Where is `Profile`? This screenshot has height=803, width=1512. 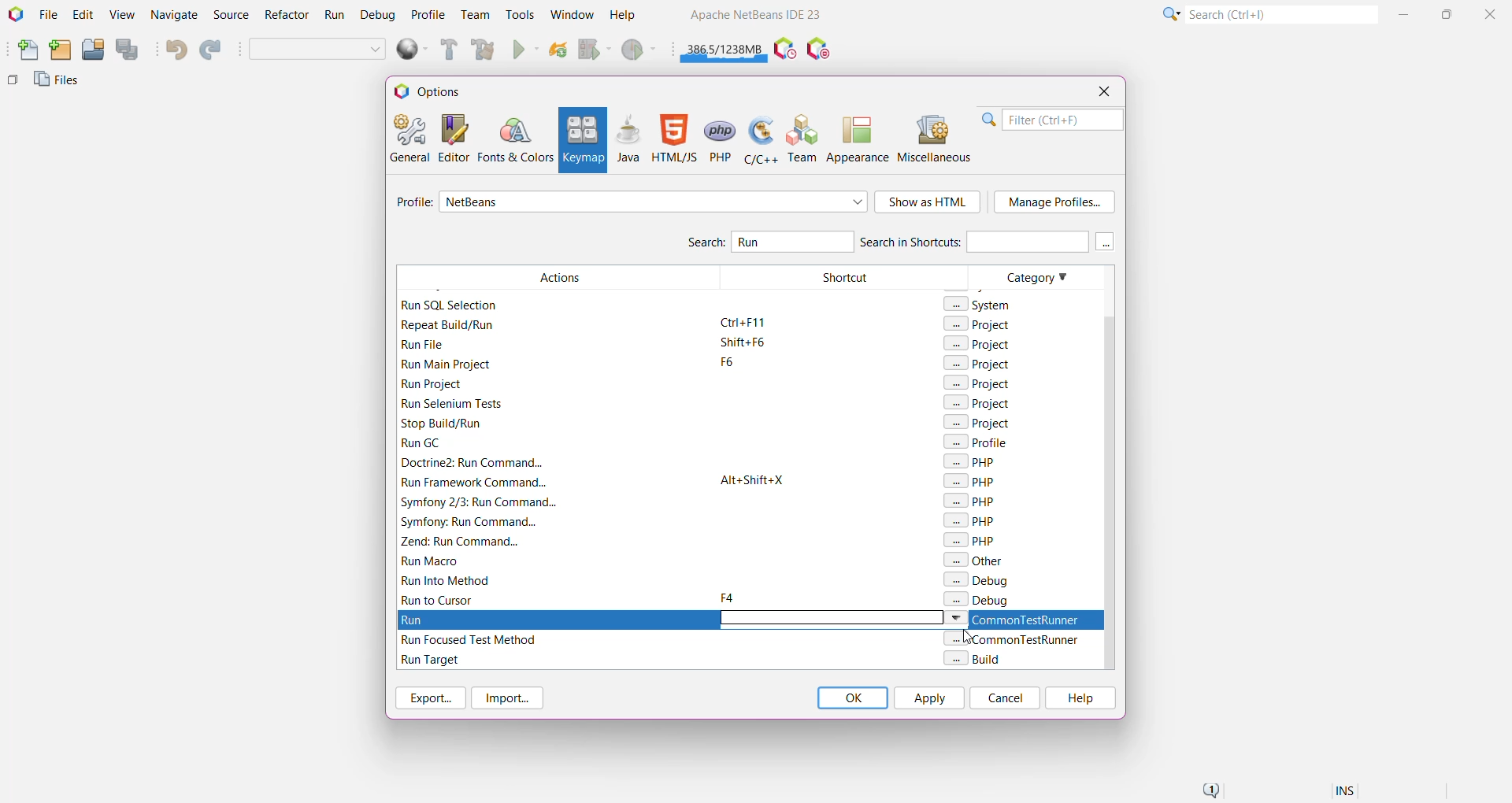
Profile is located at coordinates (428, 14).